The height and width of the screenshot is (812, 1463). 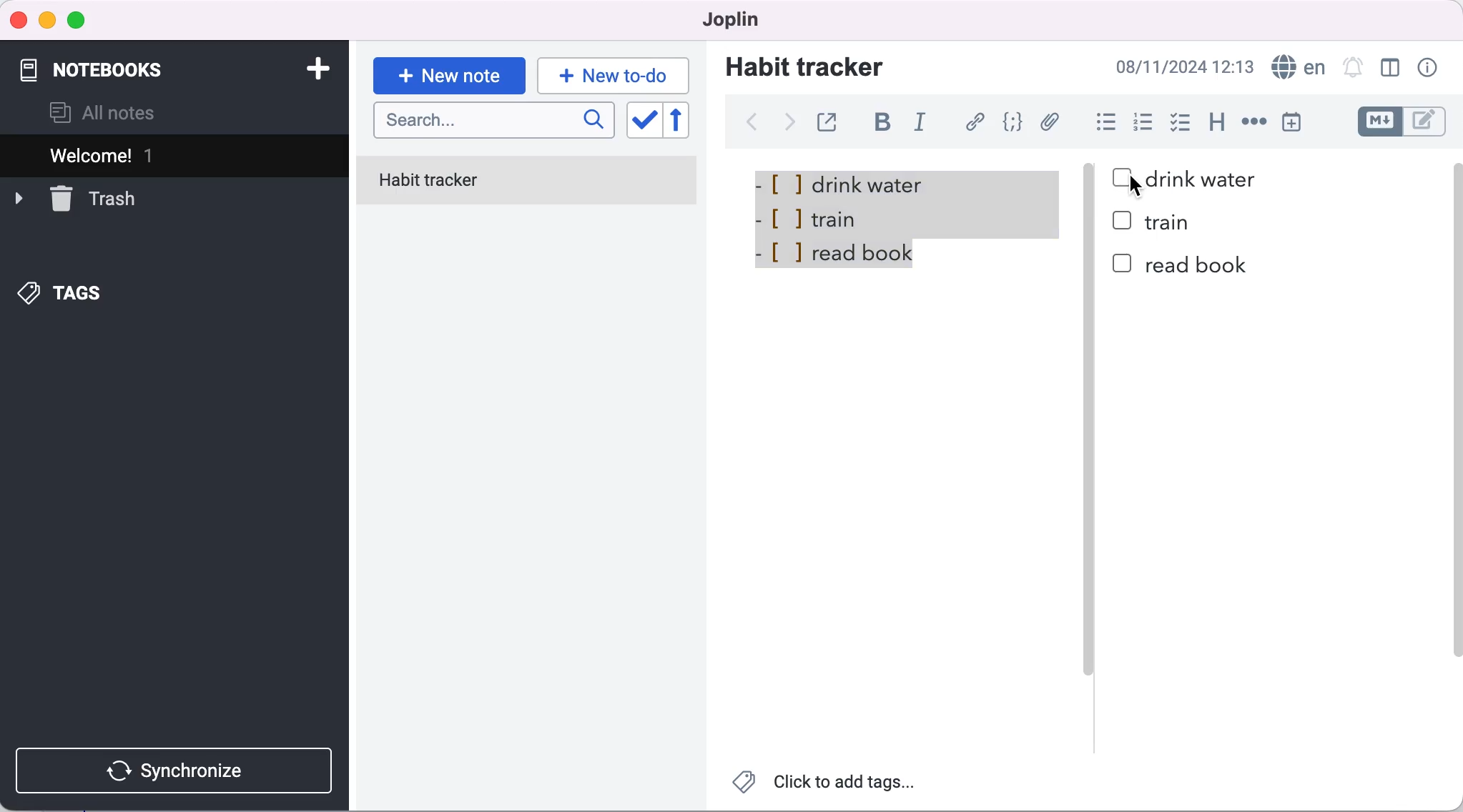 What do you see at coordinates (787, 127) in the screenshot?
I see `forward` at bounding box center [787, 127].